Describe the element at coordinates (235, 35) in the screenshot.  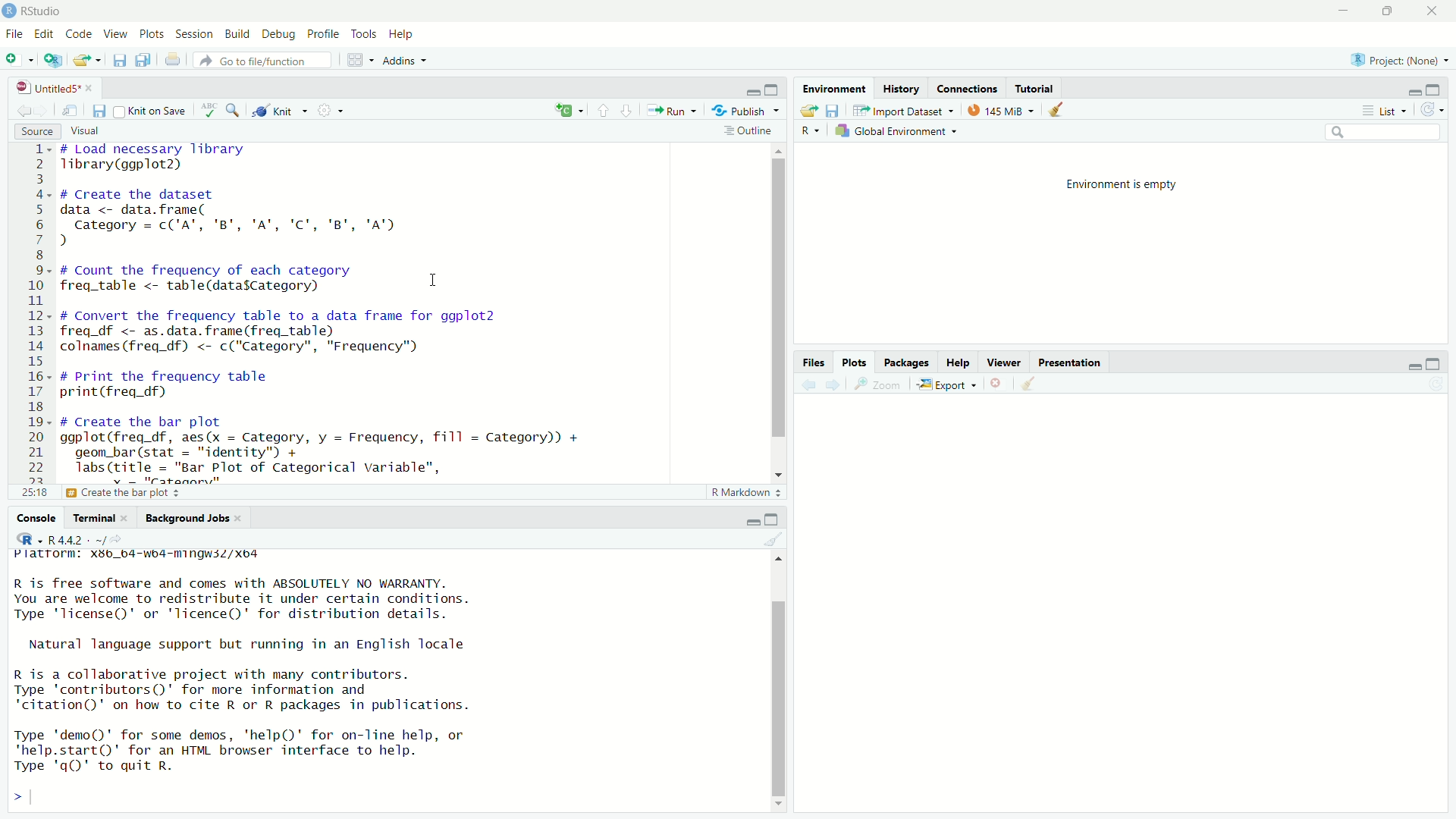
I see `build` at that location.